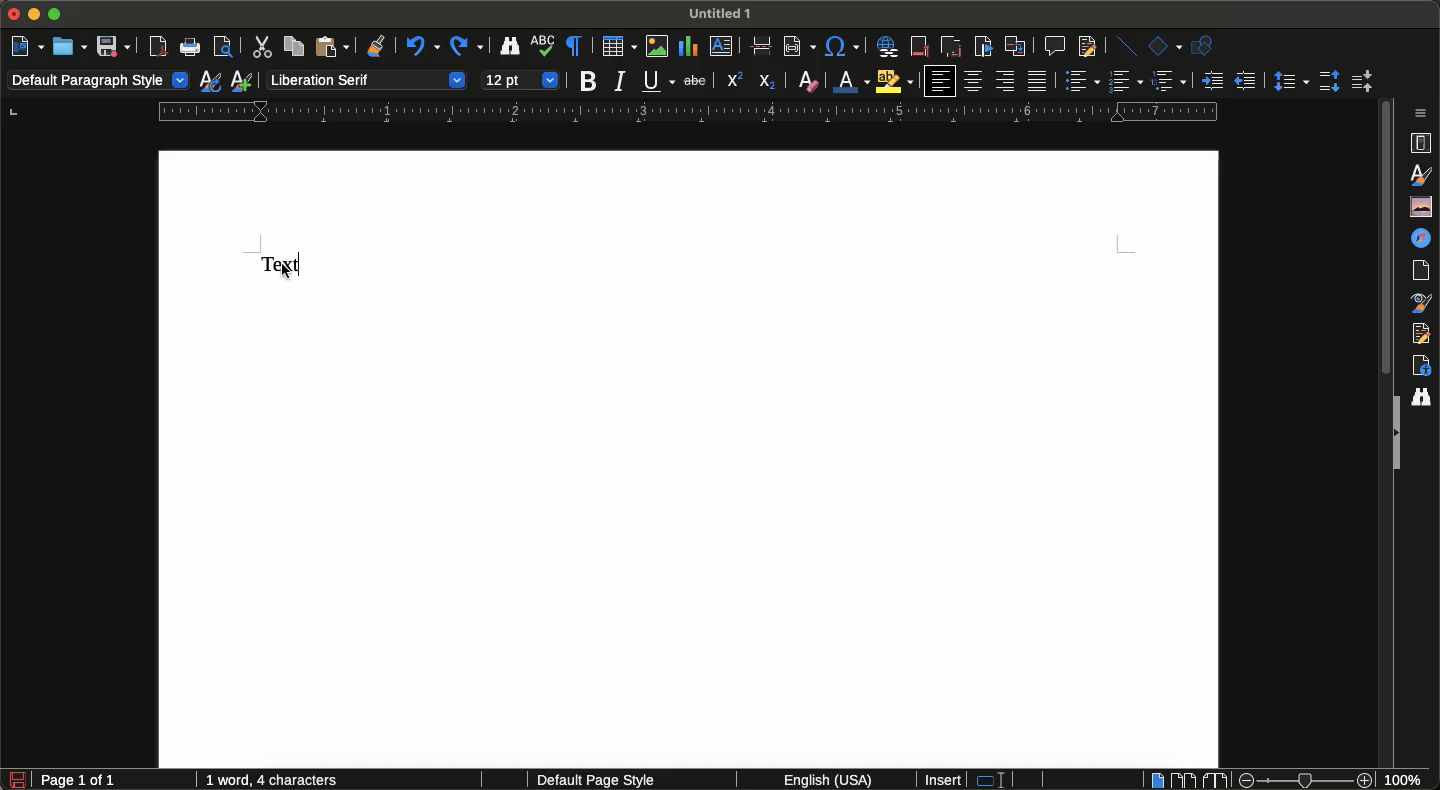  I want to click on Cut, so click(260, 46).